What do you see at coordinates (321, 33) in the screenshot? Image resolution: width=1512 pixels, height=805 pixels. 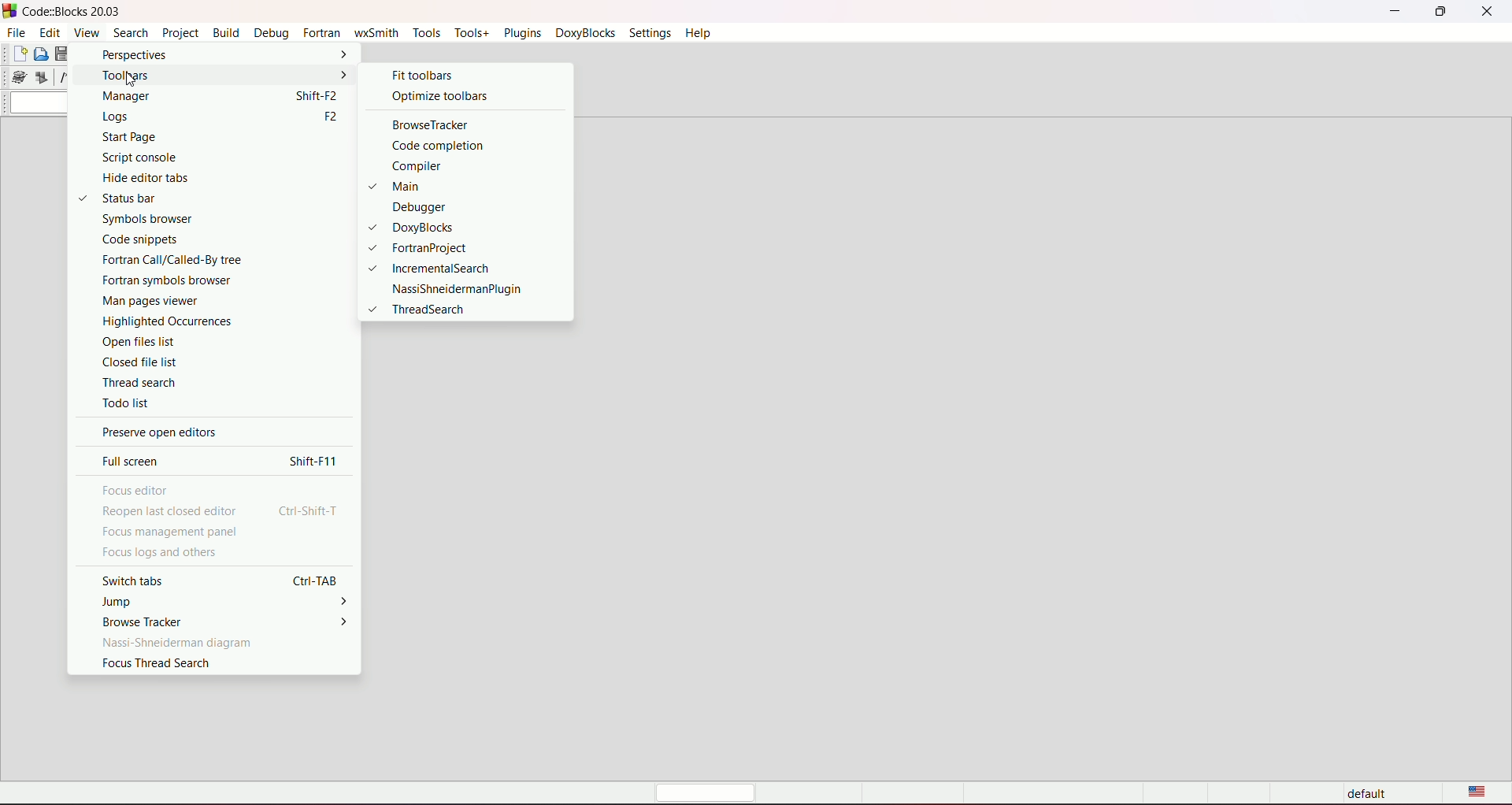 I see `fortran` at bounding box center [321, 33].